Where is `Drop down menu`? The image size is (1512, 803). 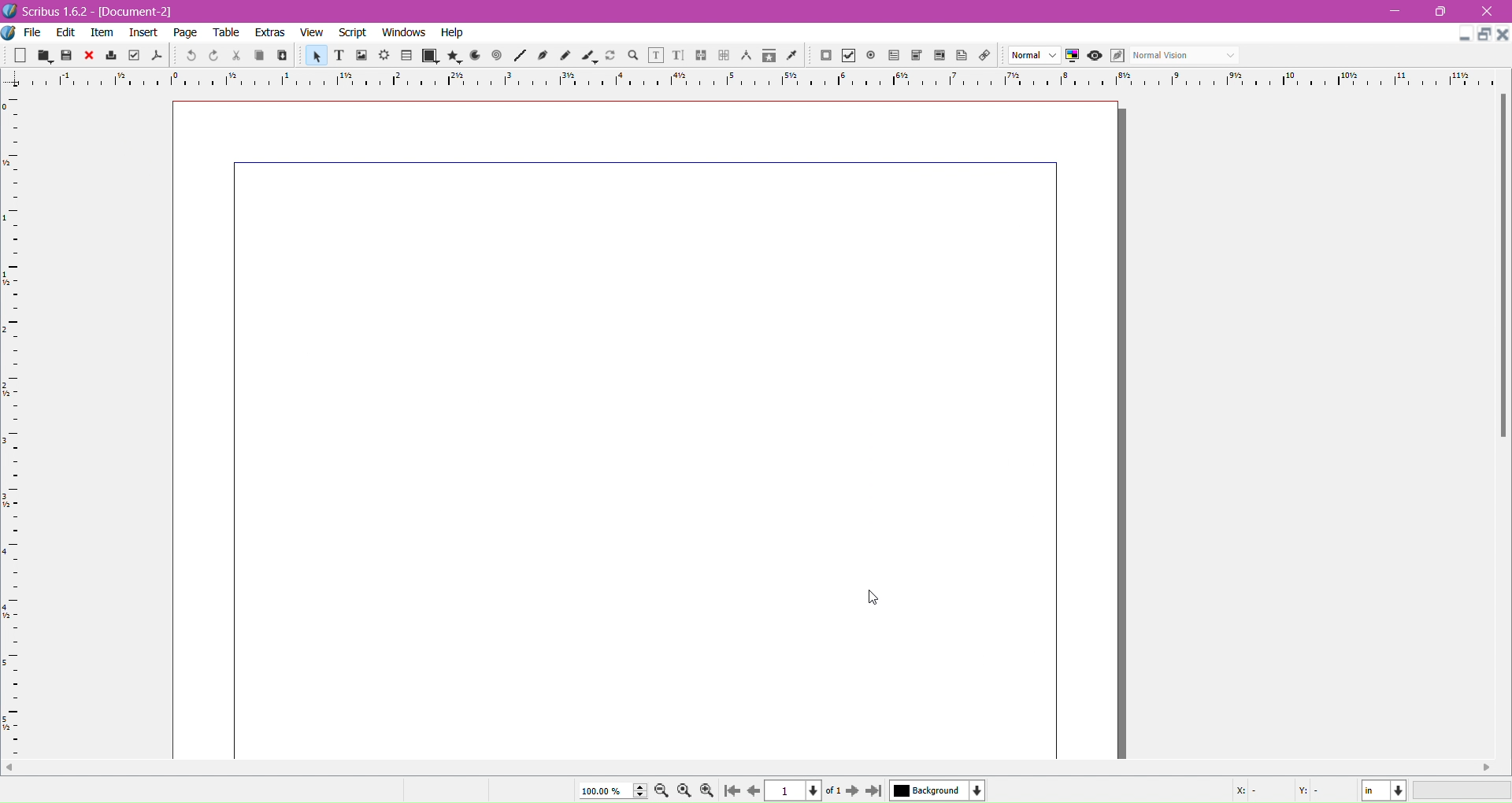
Drop down menu is located at coordinates (1236, 56).